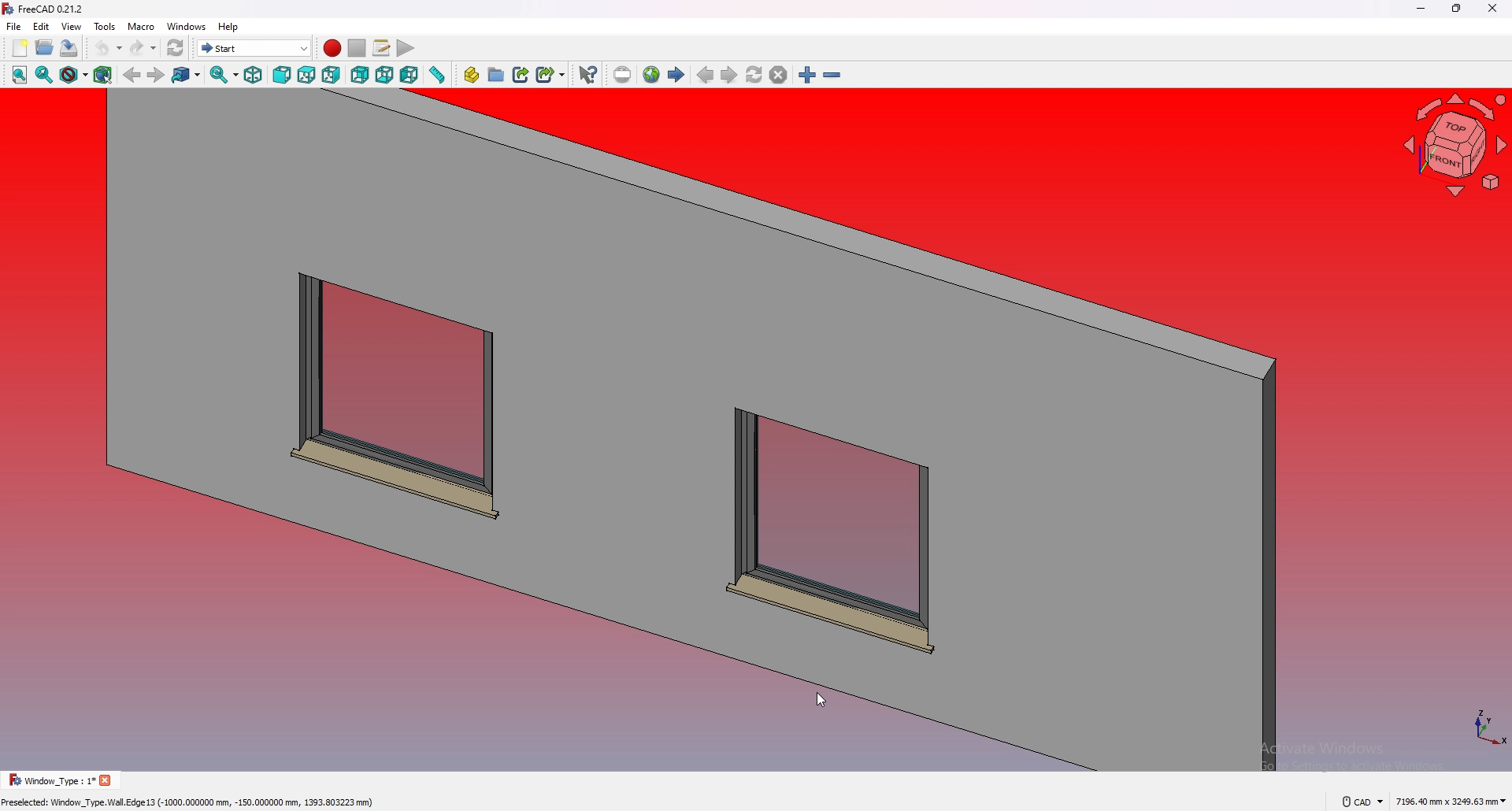  I want to click on FreeCAD 0.21.2, so click(55, 9).